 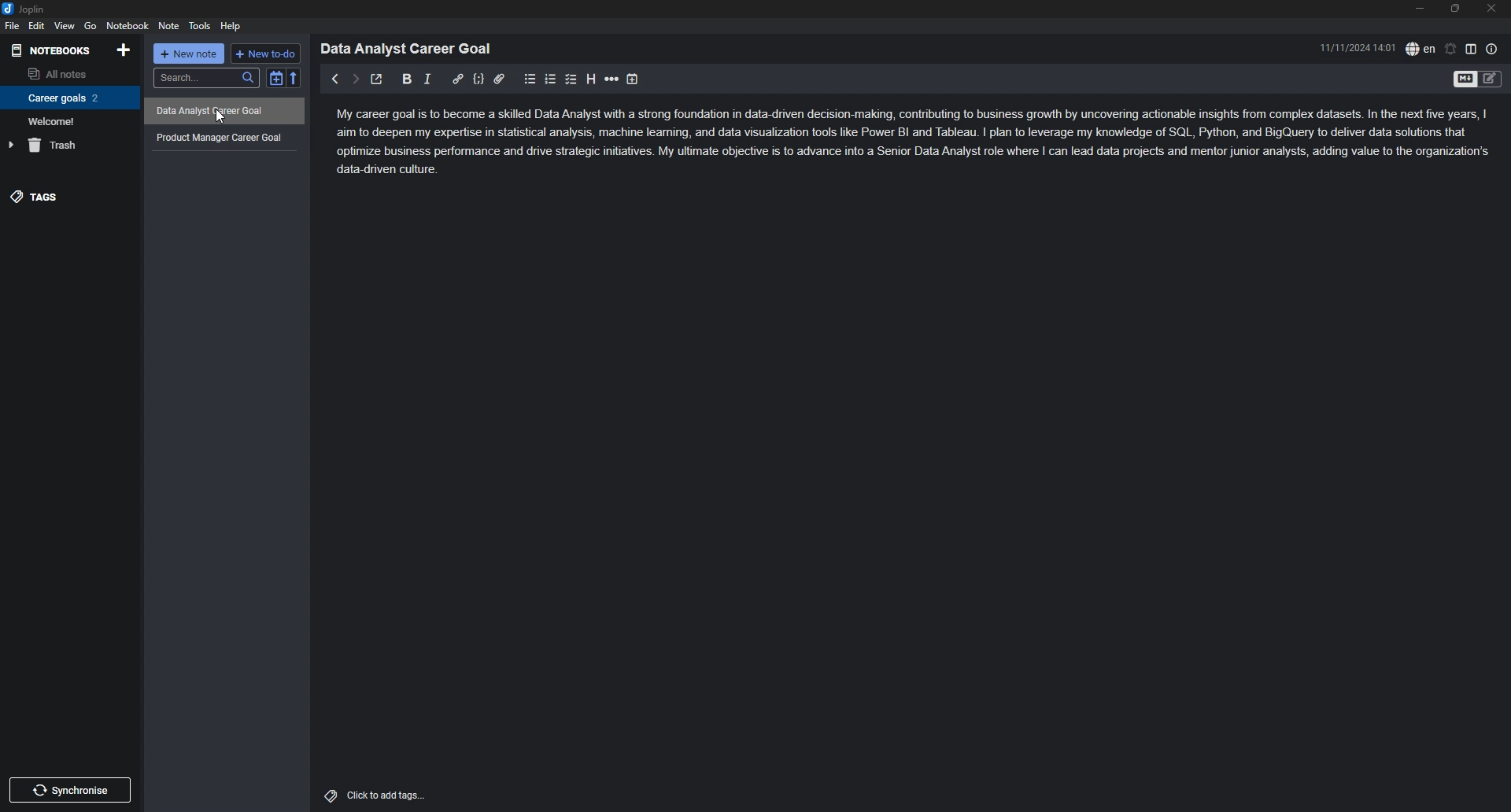 I want to click on checkbox, so click(x=571, y=79).